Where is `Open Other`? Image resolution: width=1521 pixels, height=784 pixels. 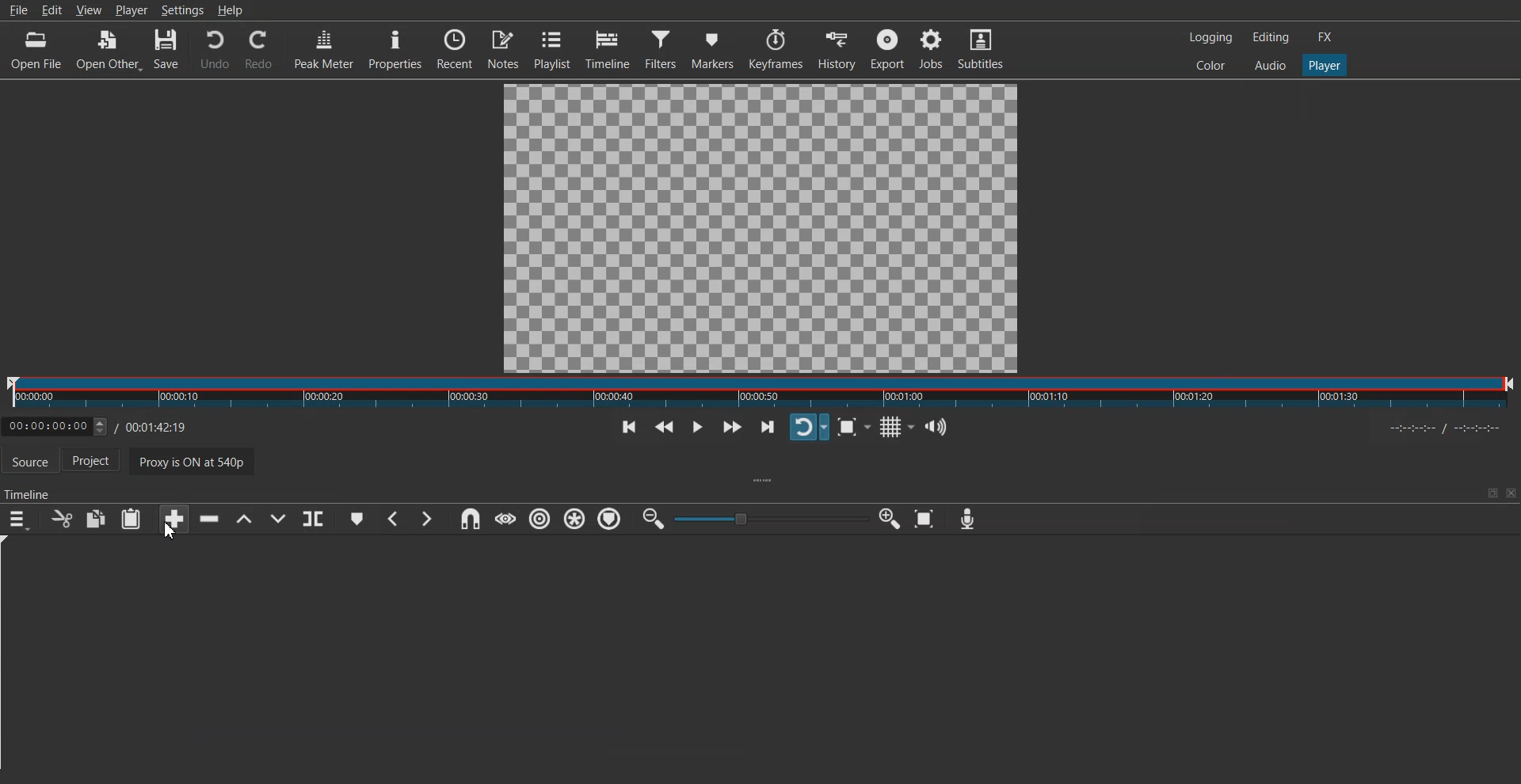
Open Other is located at coordinates (109, 51).